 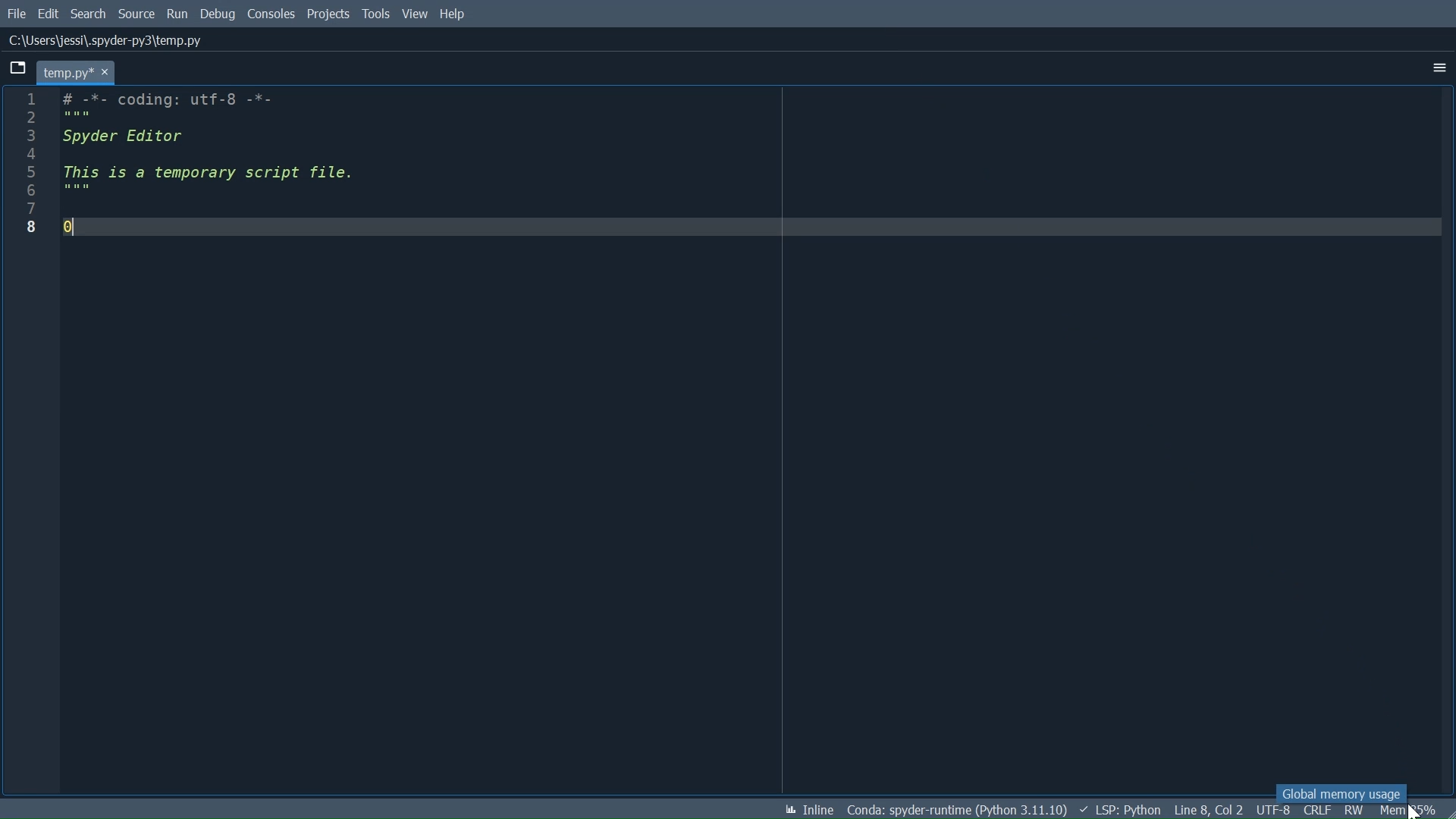 What do you see at coordinates (1341, 791) in the screenshot?
I see `Global memory usage tooltip` at bounding box center [1341, 791].